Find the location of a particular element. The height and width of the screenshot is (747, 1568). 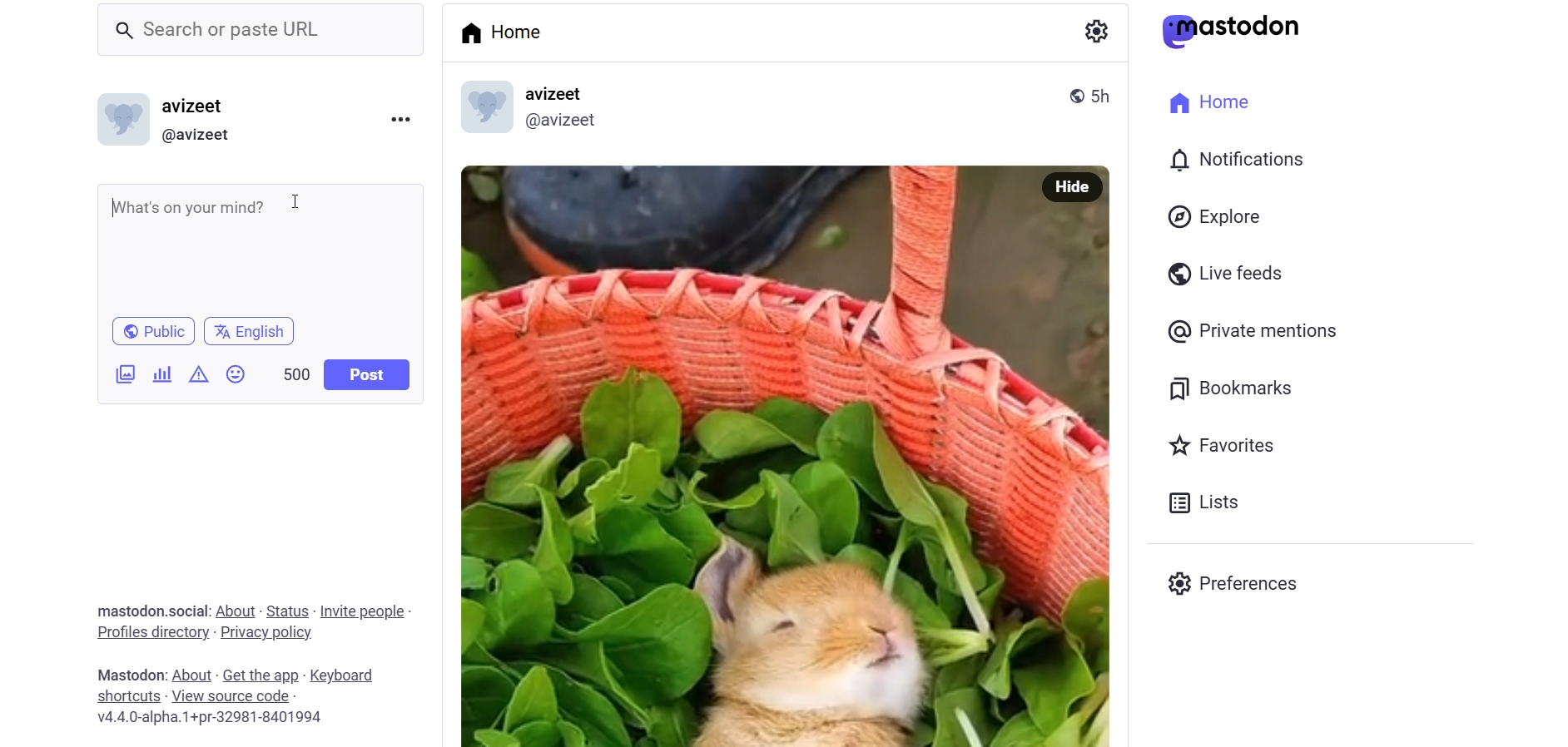

home is located at coordinates (1215, 101).